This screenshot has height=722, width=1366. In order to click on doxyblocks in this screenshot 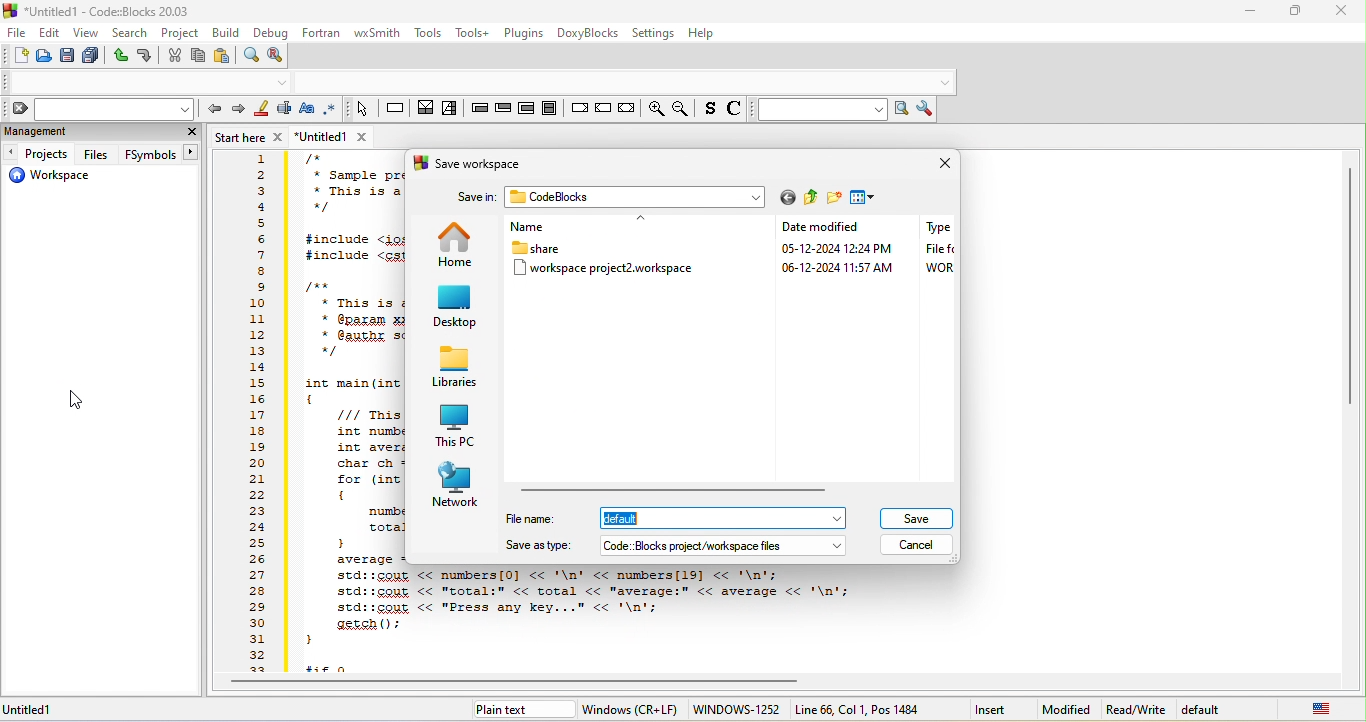, I will do `click(589, 34)`.